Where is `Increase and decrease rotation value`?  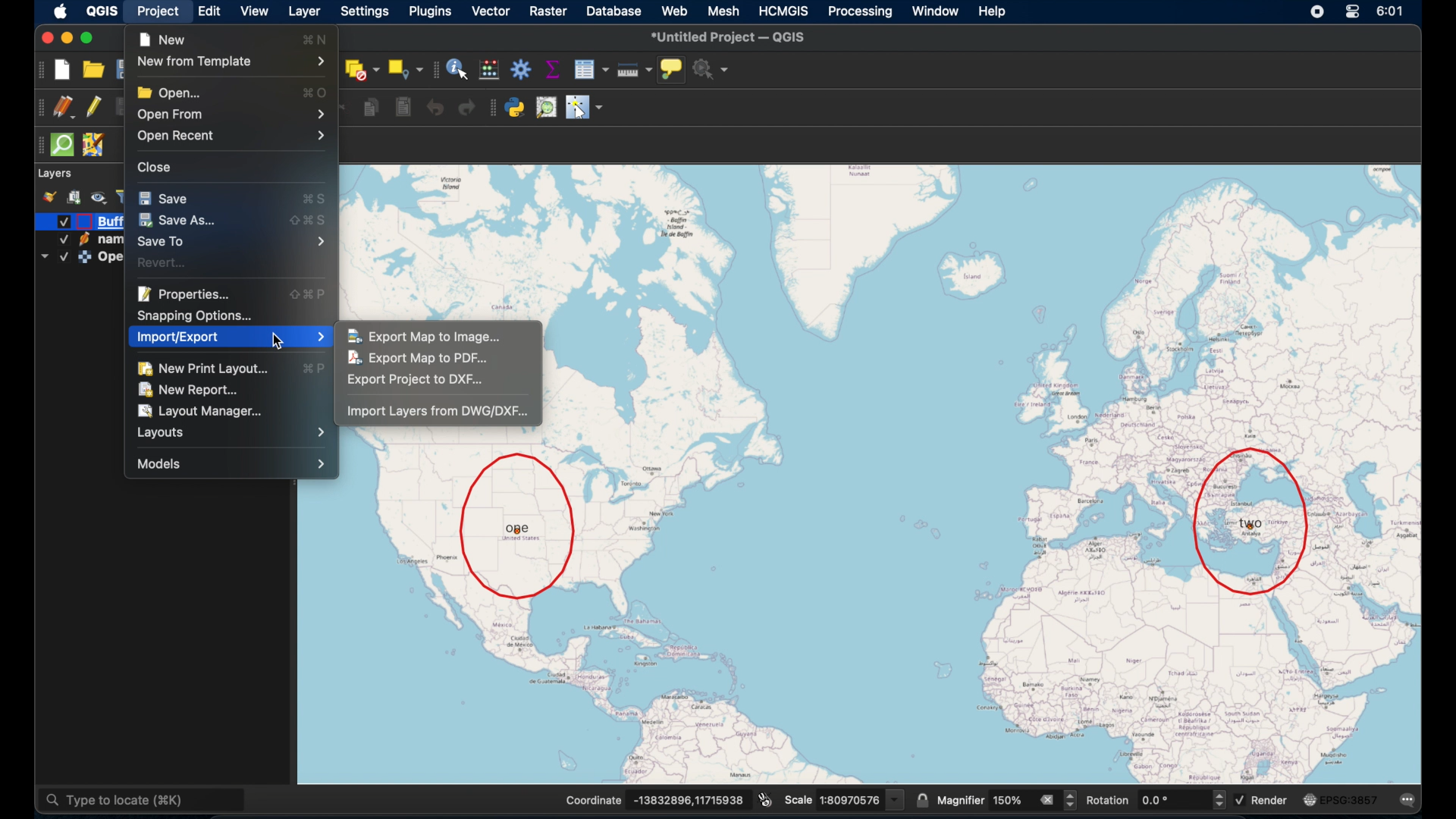
Increase and decrease rotation value is located at coordinates (1218, 802).